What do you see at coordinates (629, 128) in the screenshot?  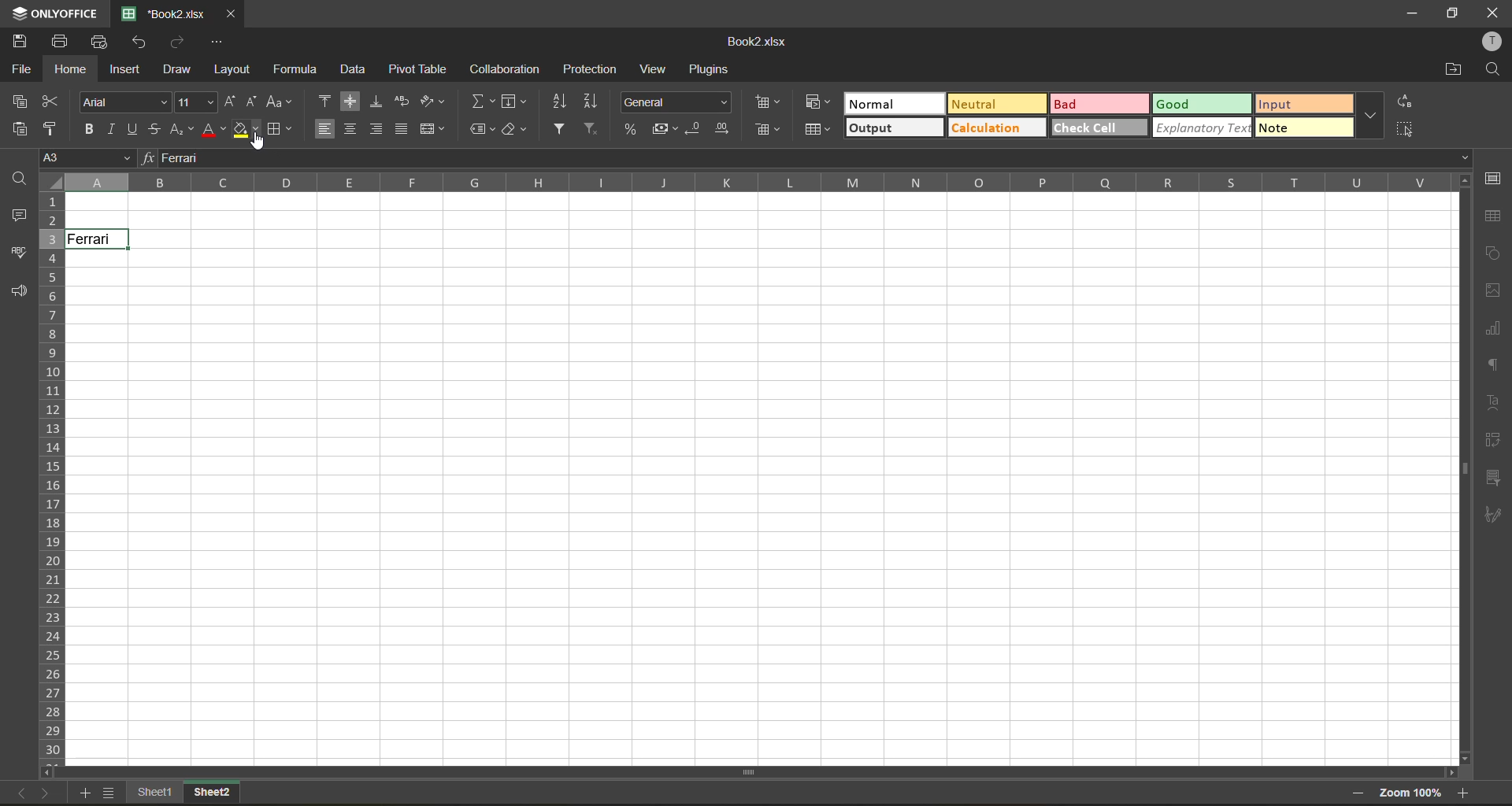 I see `percent` at bounding box center [629, 128].